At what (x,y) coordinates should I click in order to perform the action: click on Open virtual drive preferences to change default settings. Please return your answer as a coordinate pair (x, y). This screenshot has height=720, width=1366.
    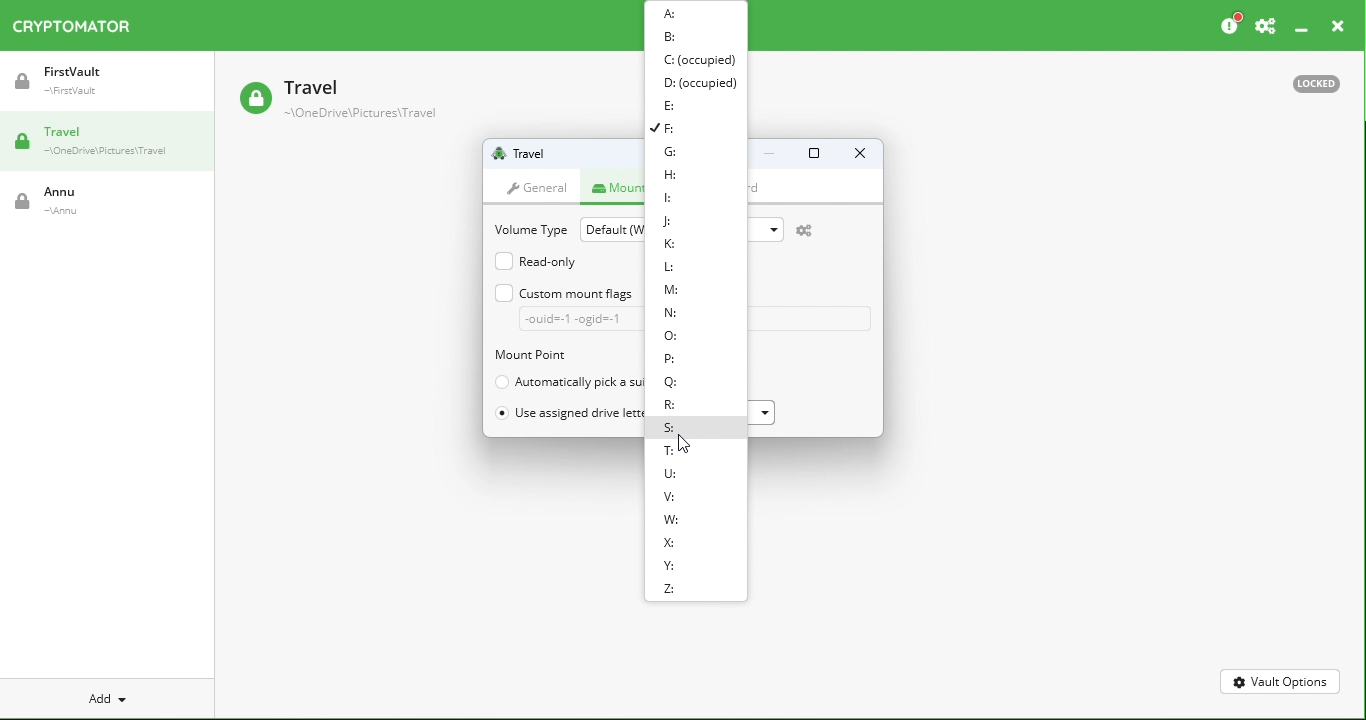
    Looking at the image, I should click on (813, 231).